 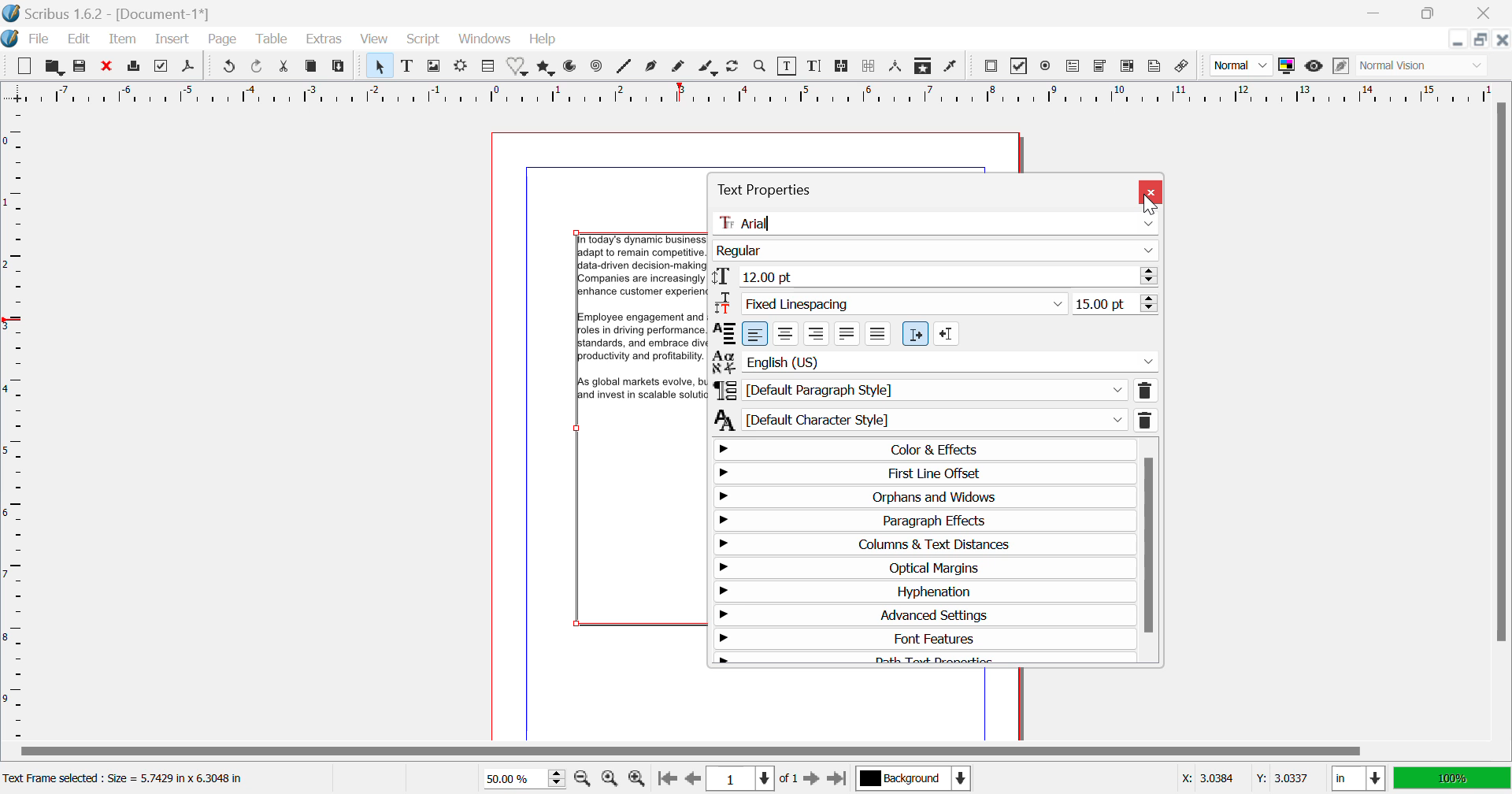 I want to click on Eyedropper, so click(x=953, y=68).